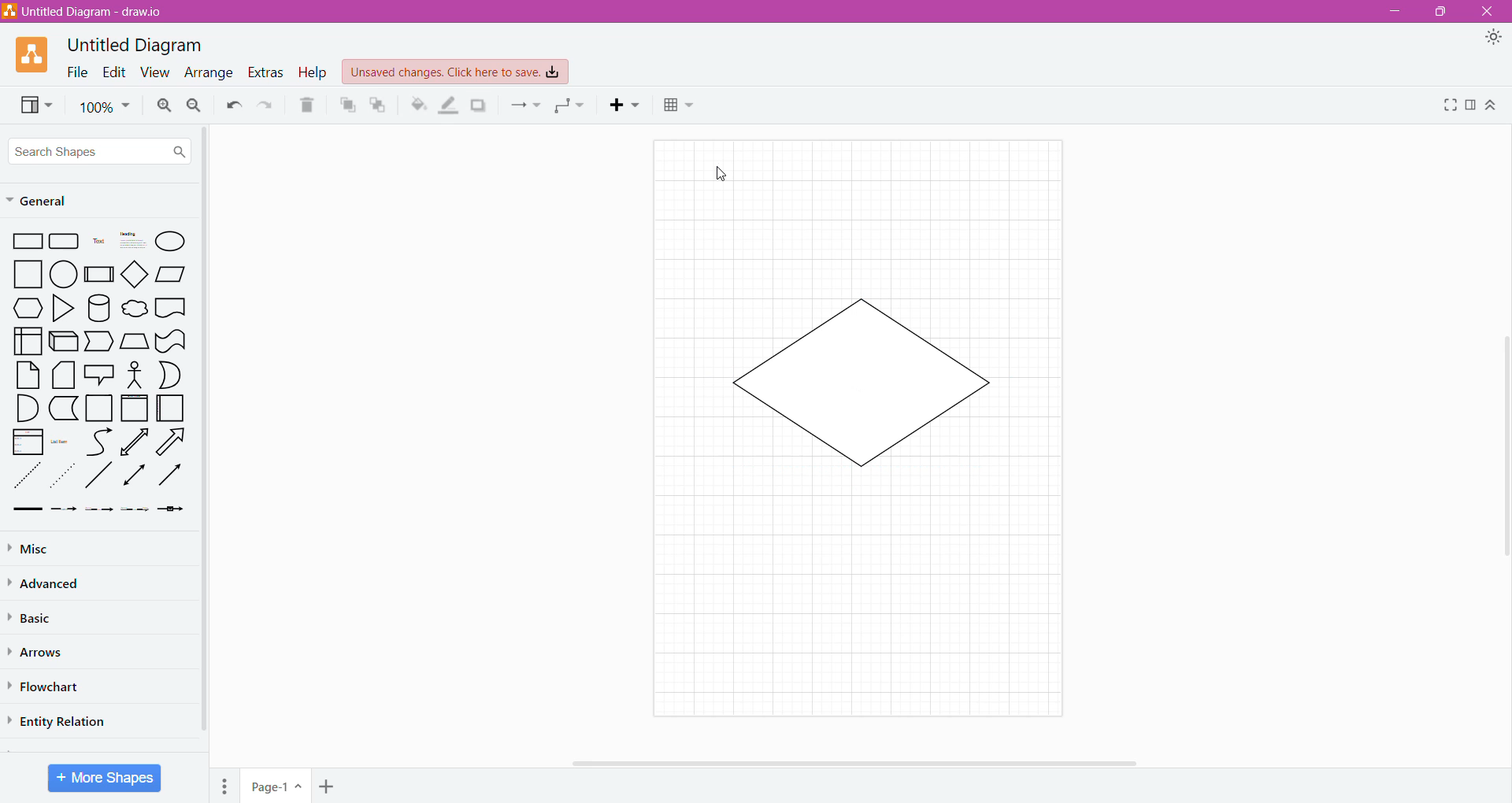 The width and height of the screenshot is (1512, 803). What do you see at coordinates (65, 479) in the screenshot?
I see `Dotted Line` at bounding box center [65, 479].